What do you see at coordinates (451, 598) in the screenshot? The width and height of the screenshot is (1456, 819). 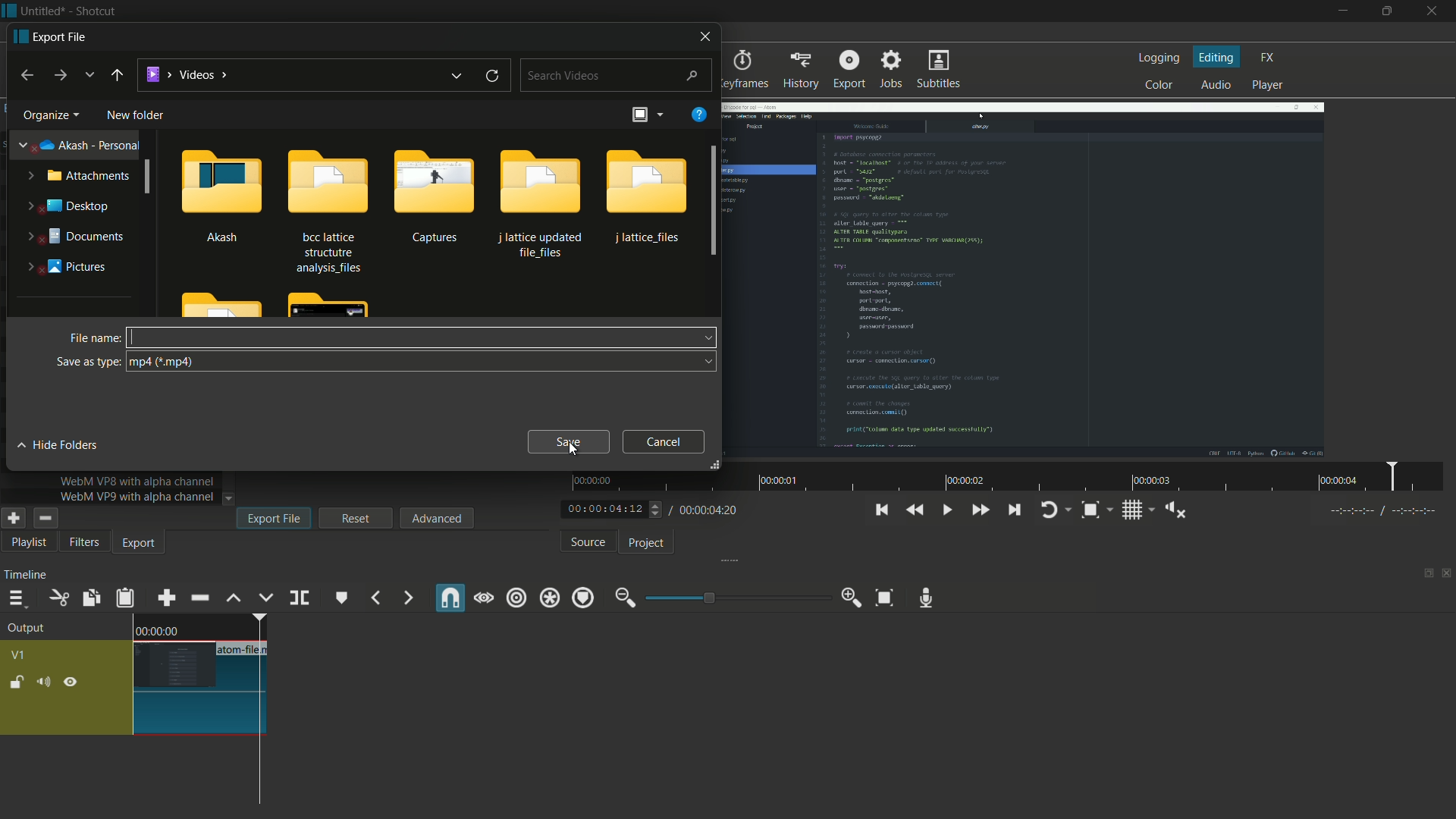 I see `snap` at bounding box center [451, 598].